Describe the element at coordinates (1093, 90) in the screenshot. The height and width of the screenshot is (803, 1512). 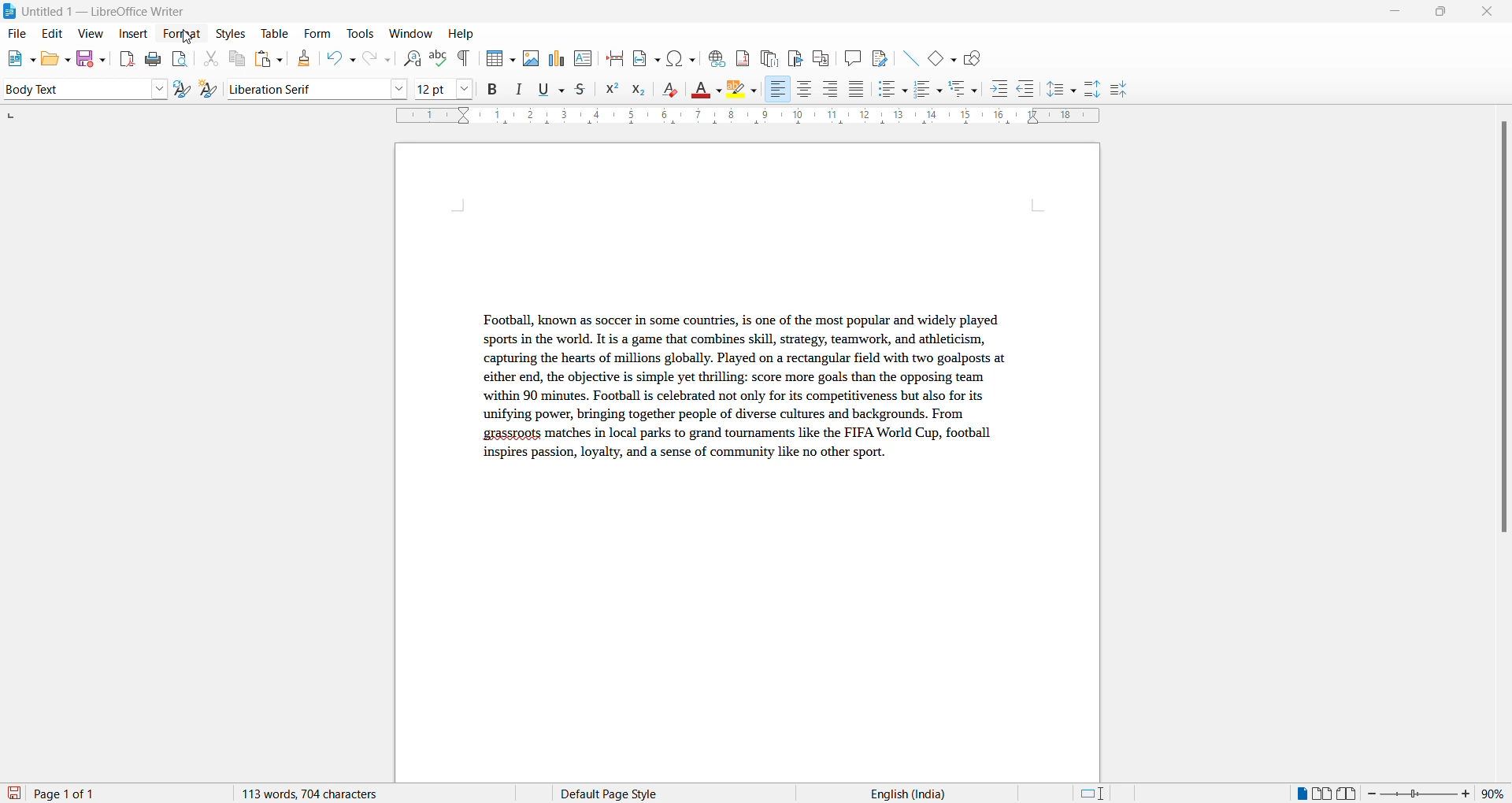
I see `increase paragraph` at that location.